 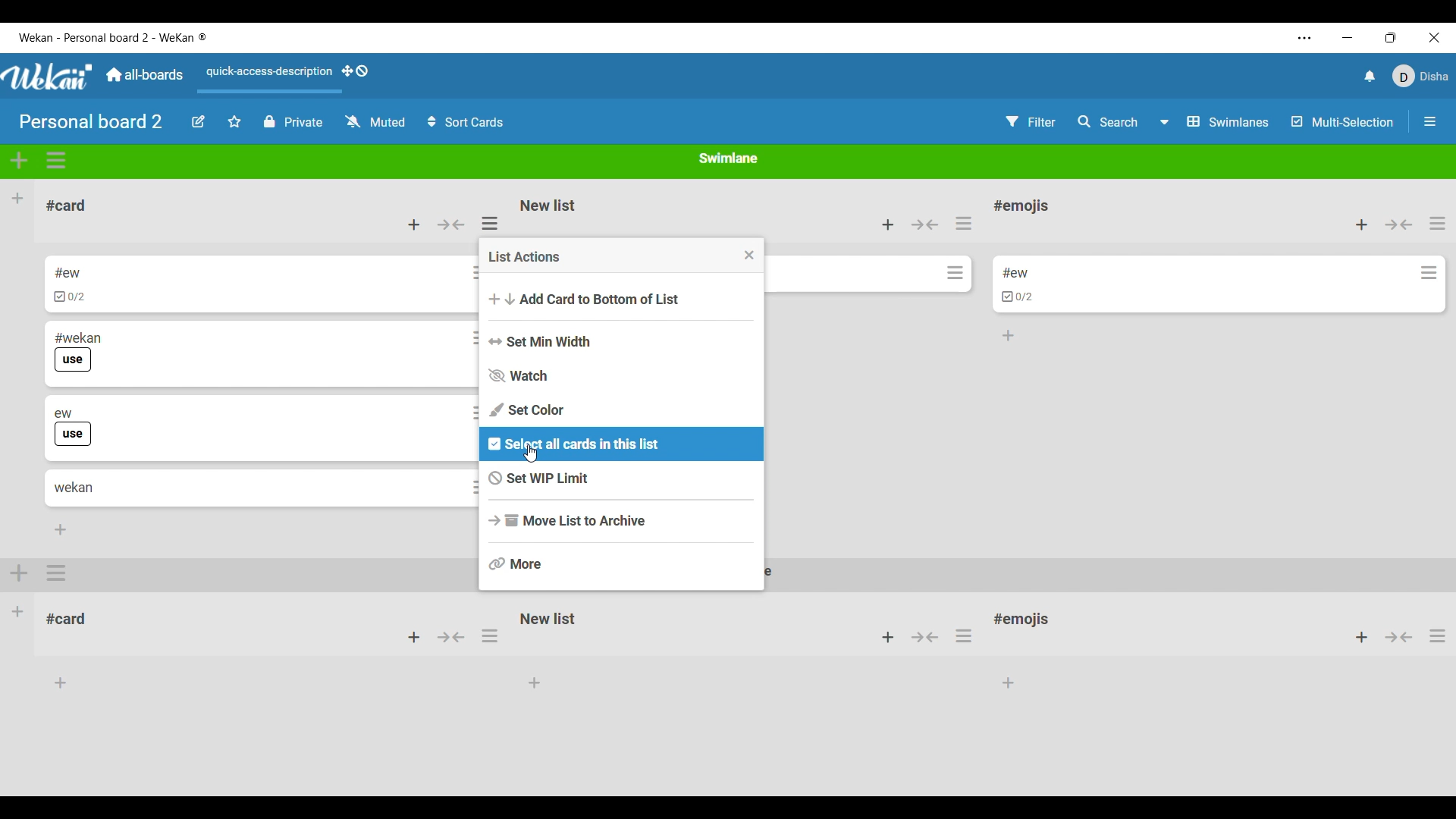 What do you see at coordinates (60, 530) in the screenshot?
I see `Add card to bottom of list` at bounding box center [60, 530].